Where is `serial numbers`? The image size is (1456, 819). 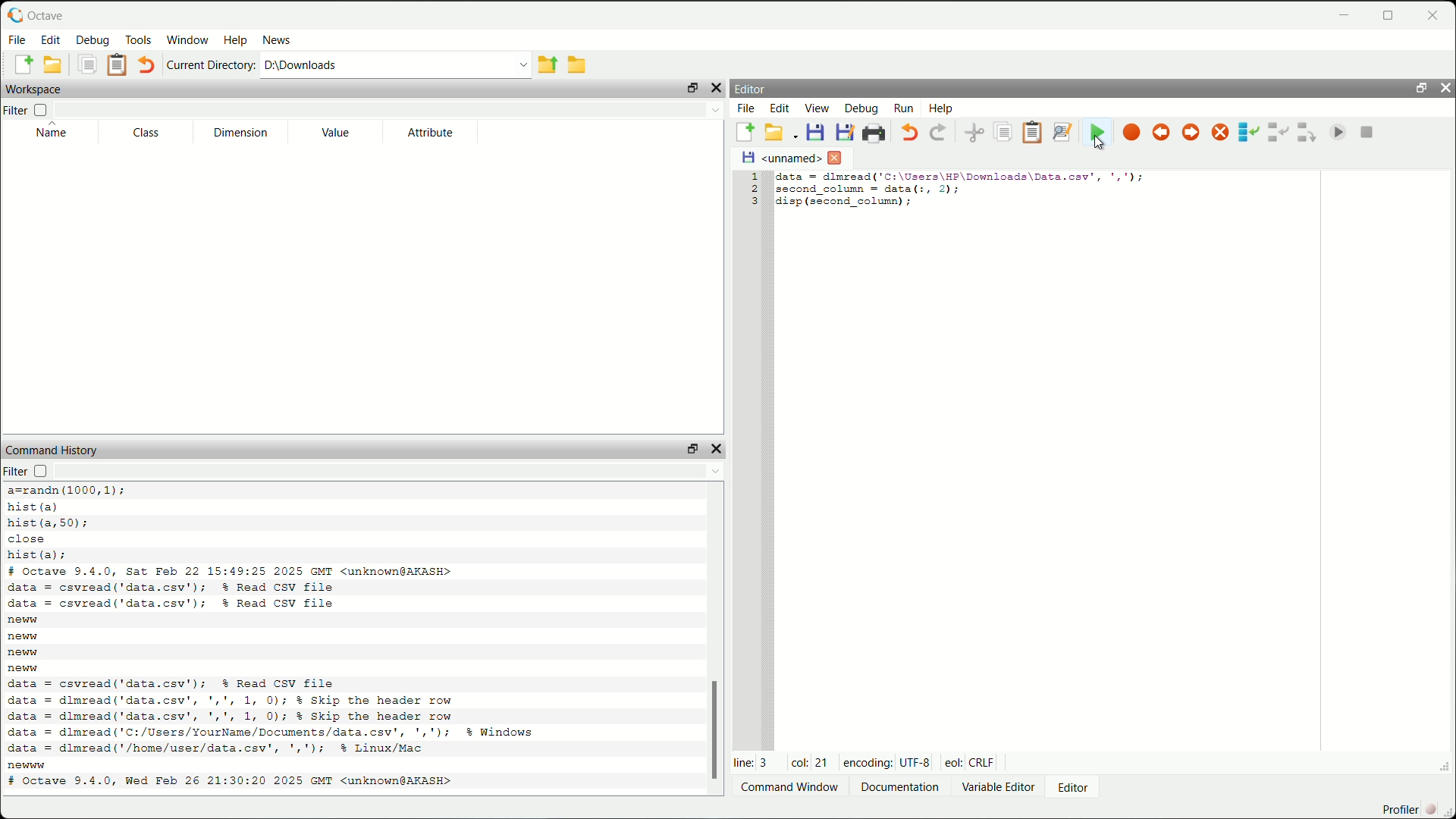
serial numbers is located at coordinates (752, 193).